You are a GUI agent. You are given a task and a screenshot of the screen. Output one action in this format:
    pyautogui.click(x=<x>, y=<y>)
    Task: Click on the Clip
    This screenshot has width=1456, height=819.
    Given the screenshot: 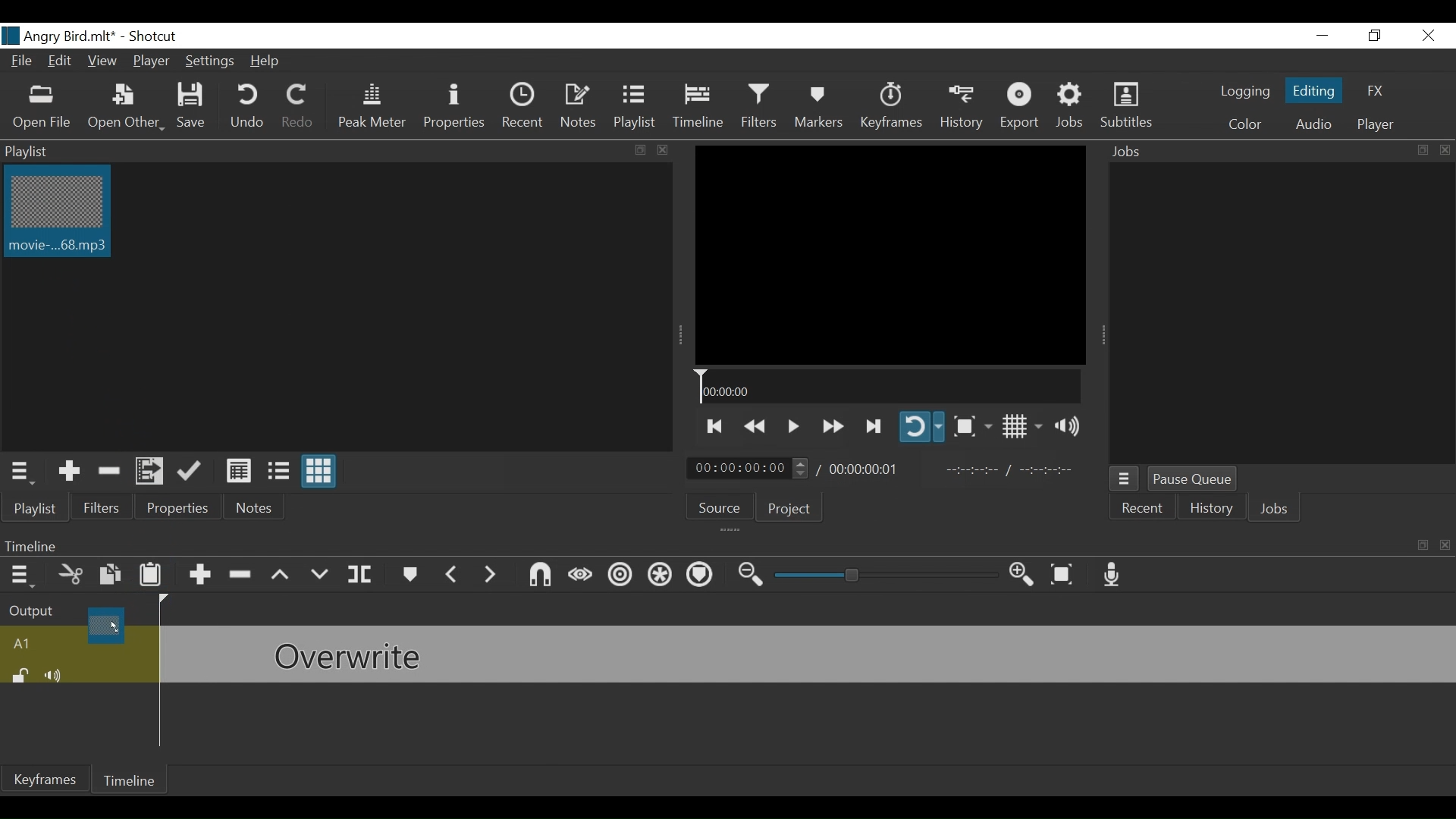 What is the action you would take?
    pyautogui.click(x=58, y=216)
    